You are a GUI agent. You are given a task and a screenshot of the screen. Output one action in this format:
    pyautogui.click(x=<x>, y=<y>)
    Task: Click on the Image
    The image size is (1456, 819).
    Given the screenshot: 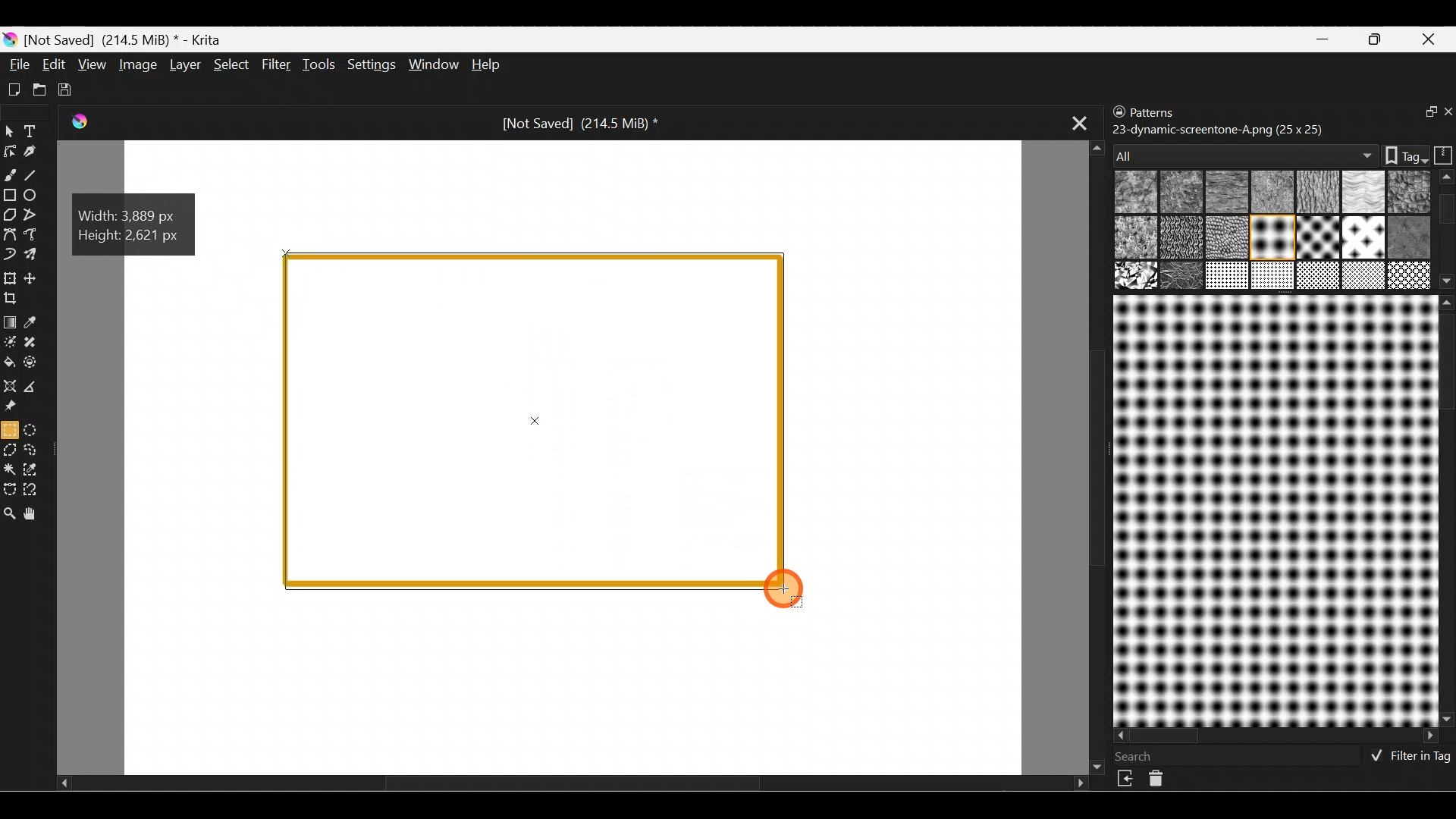 What is the action you would take?
    pyautogui.click(x=136, y=64)
    